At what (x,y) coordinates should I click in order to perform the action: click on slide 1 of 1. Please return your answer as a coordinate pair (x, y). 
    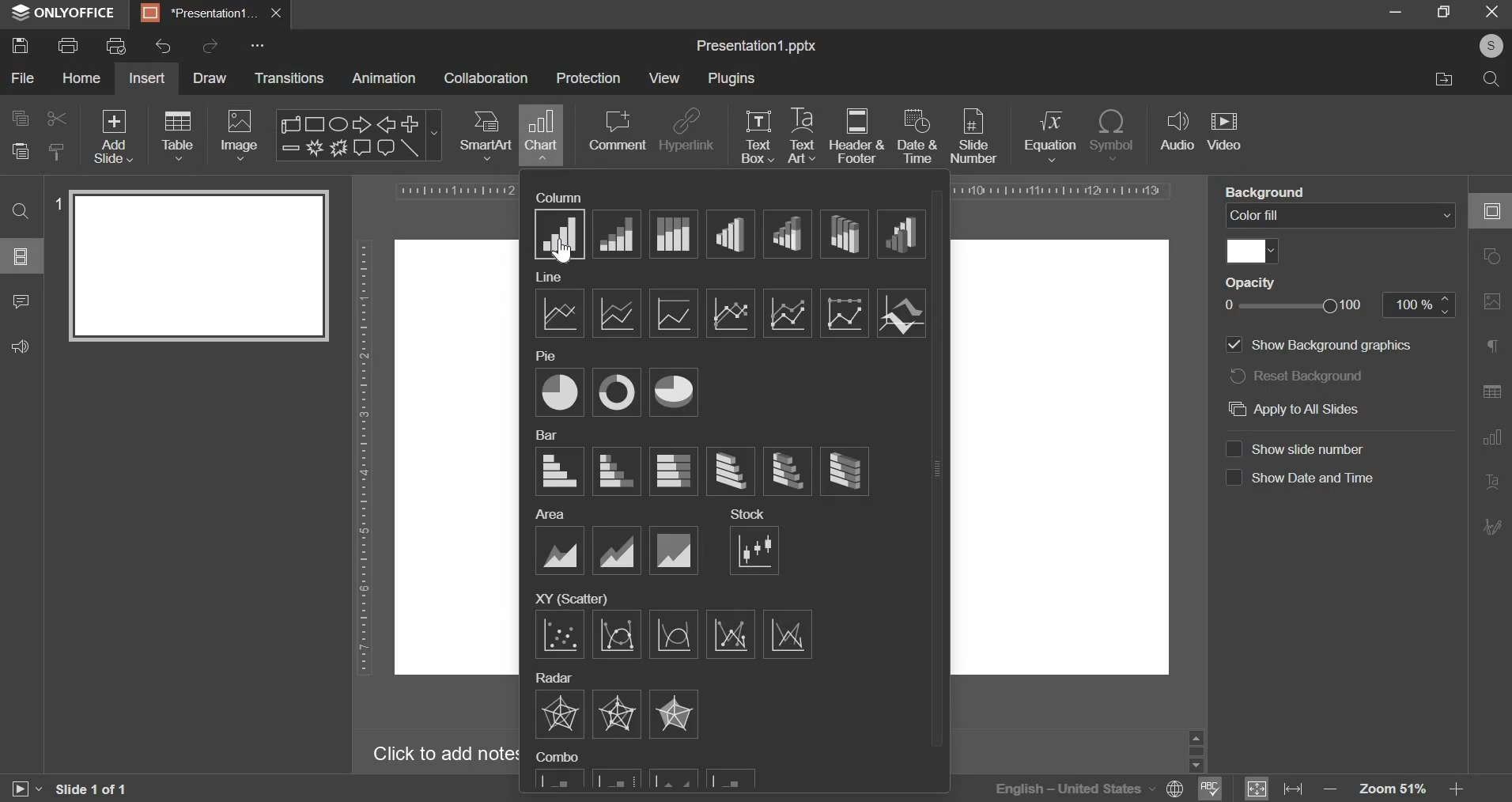
    Looking at the image, I should click on (90, 789).